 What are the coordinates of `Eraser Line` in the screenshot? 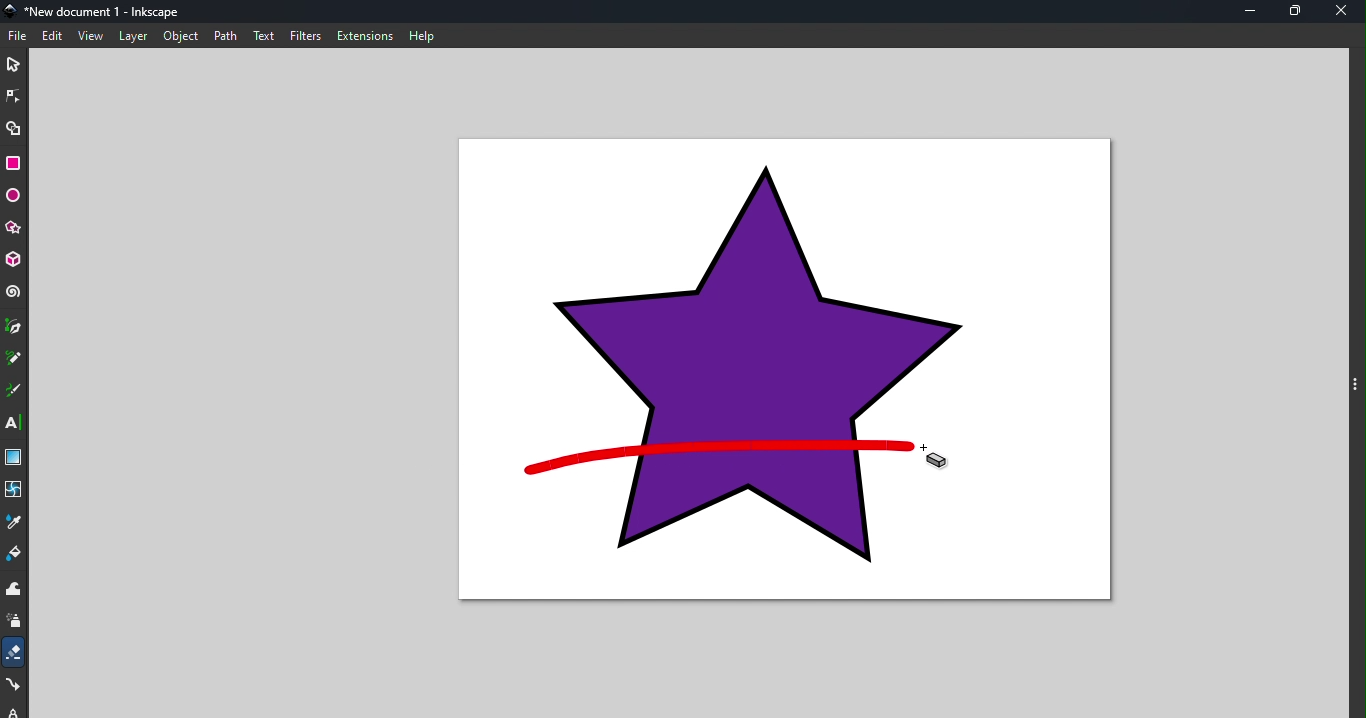 It's located at (715, 458).